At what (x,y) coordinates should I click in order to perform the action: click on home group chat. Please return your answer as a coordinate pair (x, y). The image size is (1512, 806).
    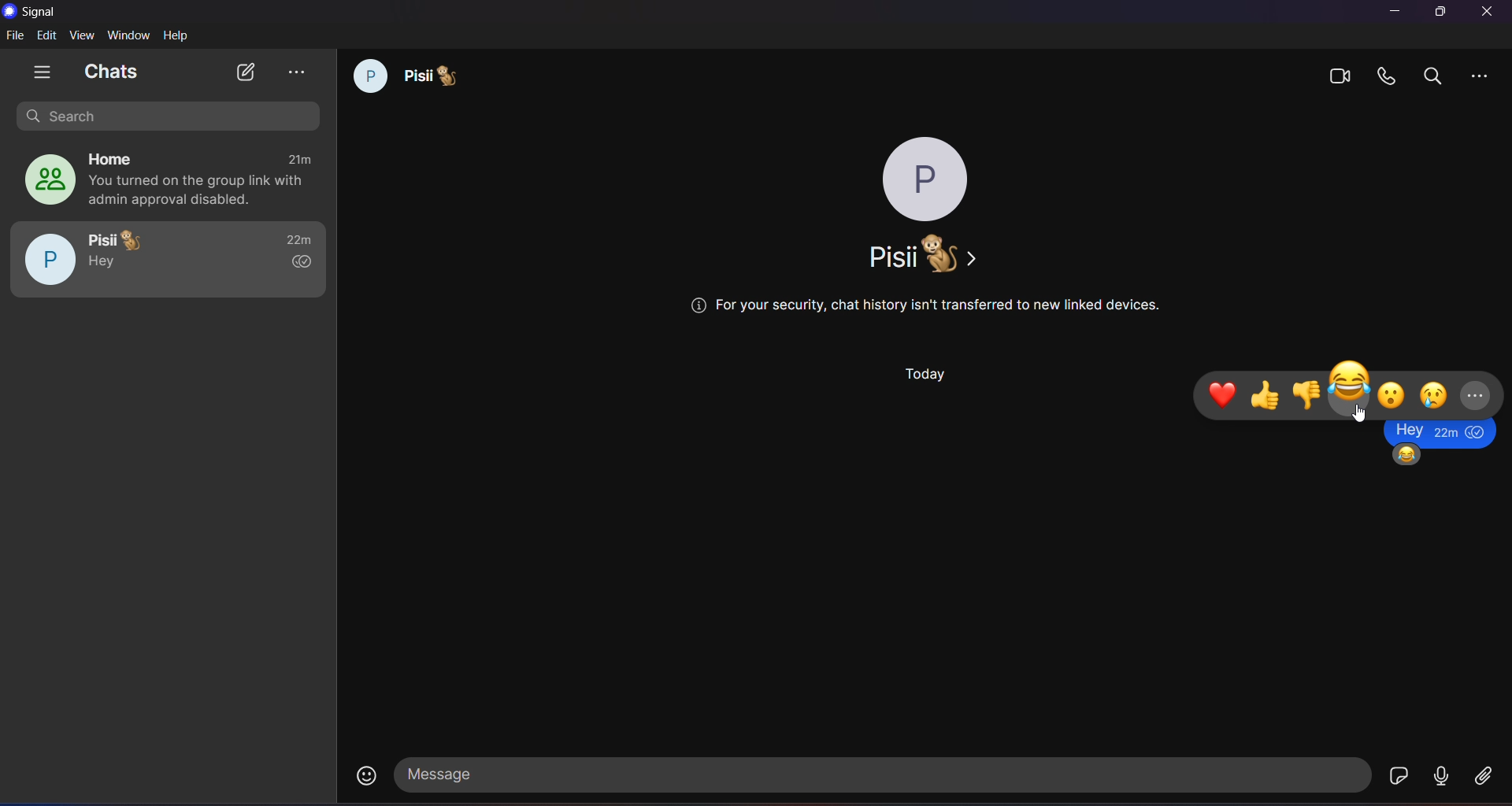
    Looking at the image, I should click on (164, 181).